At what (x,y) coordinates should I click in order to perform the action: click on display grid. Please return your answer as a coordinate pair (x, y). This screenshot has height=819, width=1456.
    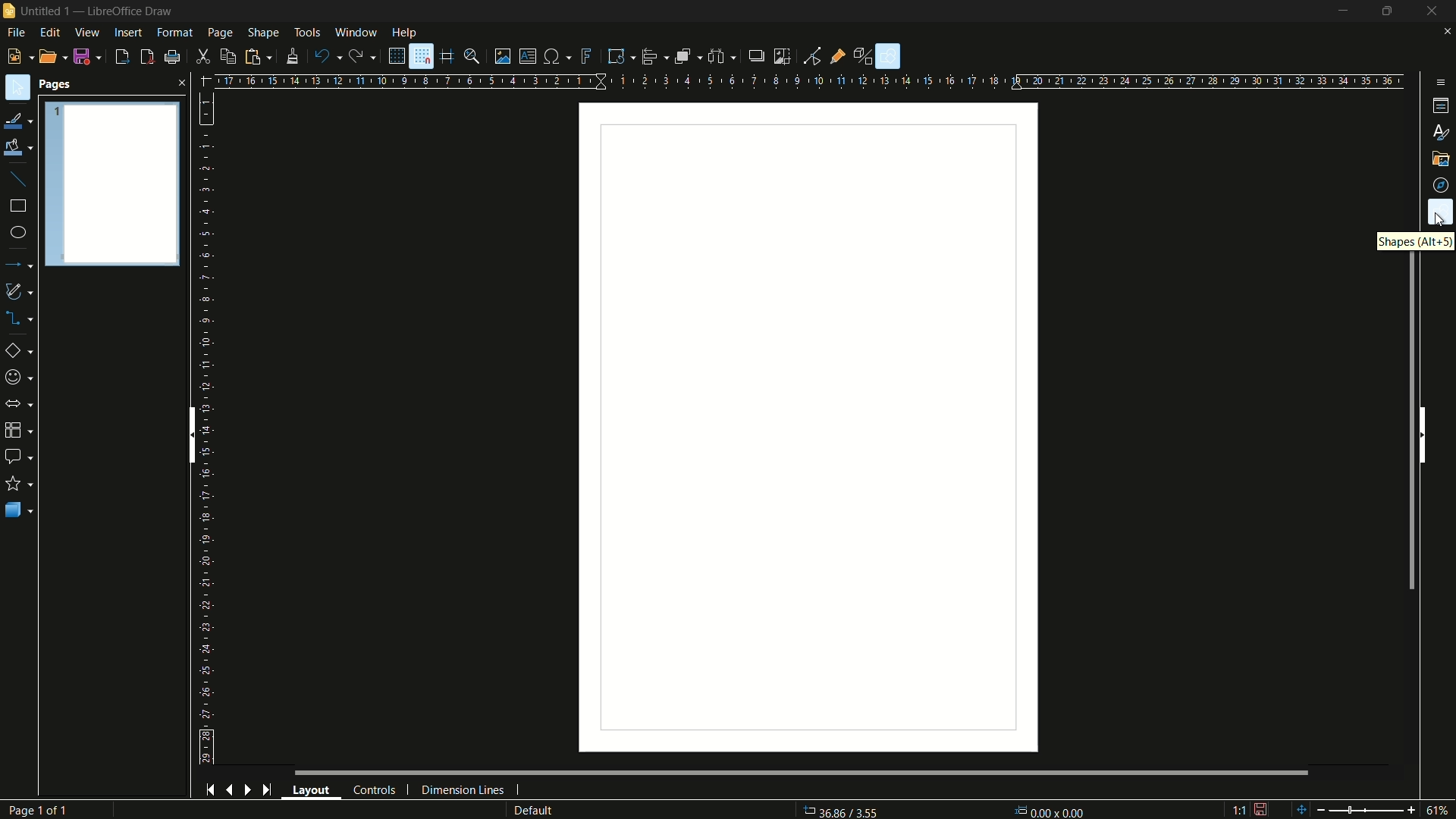
    Looking at the image, I should click on (394, 56).